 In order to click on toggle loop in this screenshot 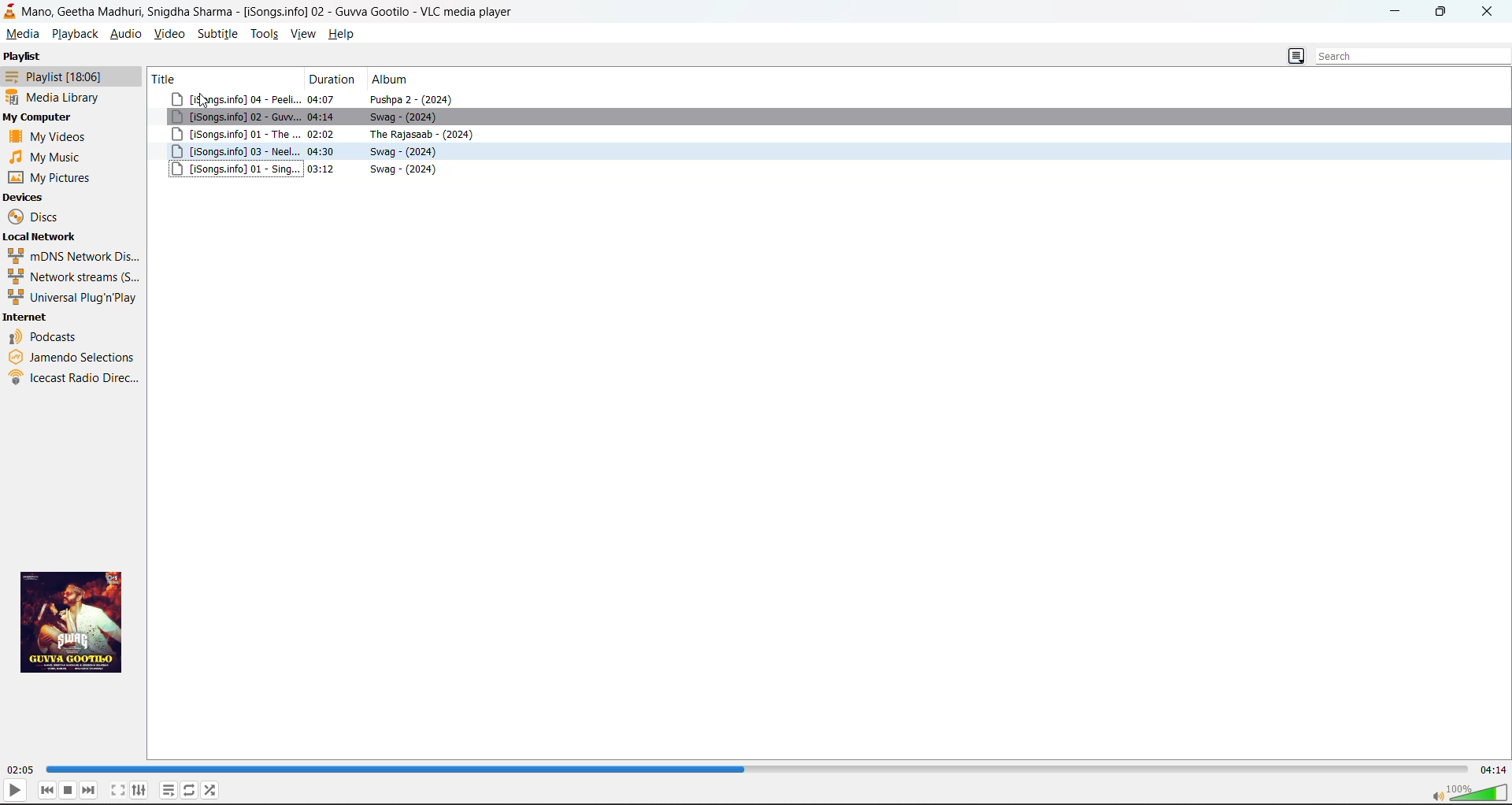, I will do `click(190, 789)`.